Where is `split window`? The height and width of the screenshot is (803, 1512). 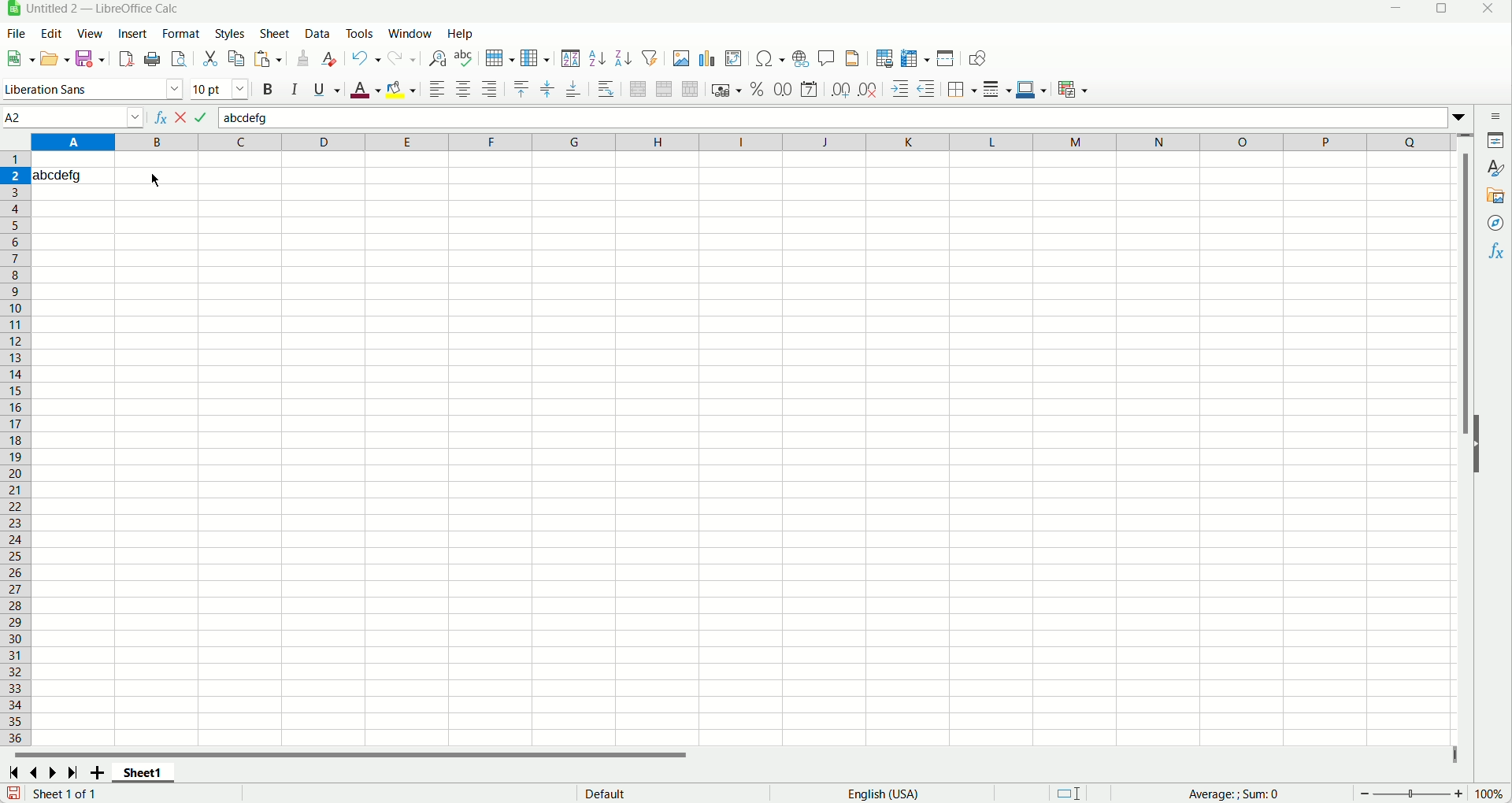
split window is located at coordinates (946, 57).